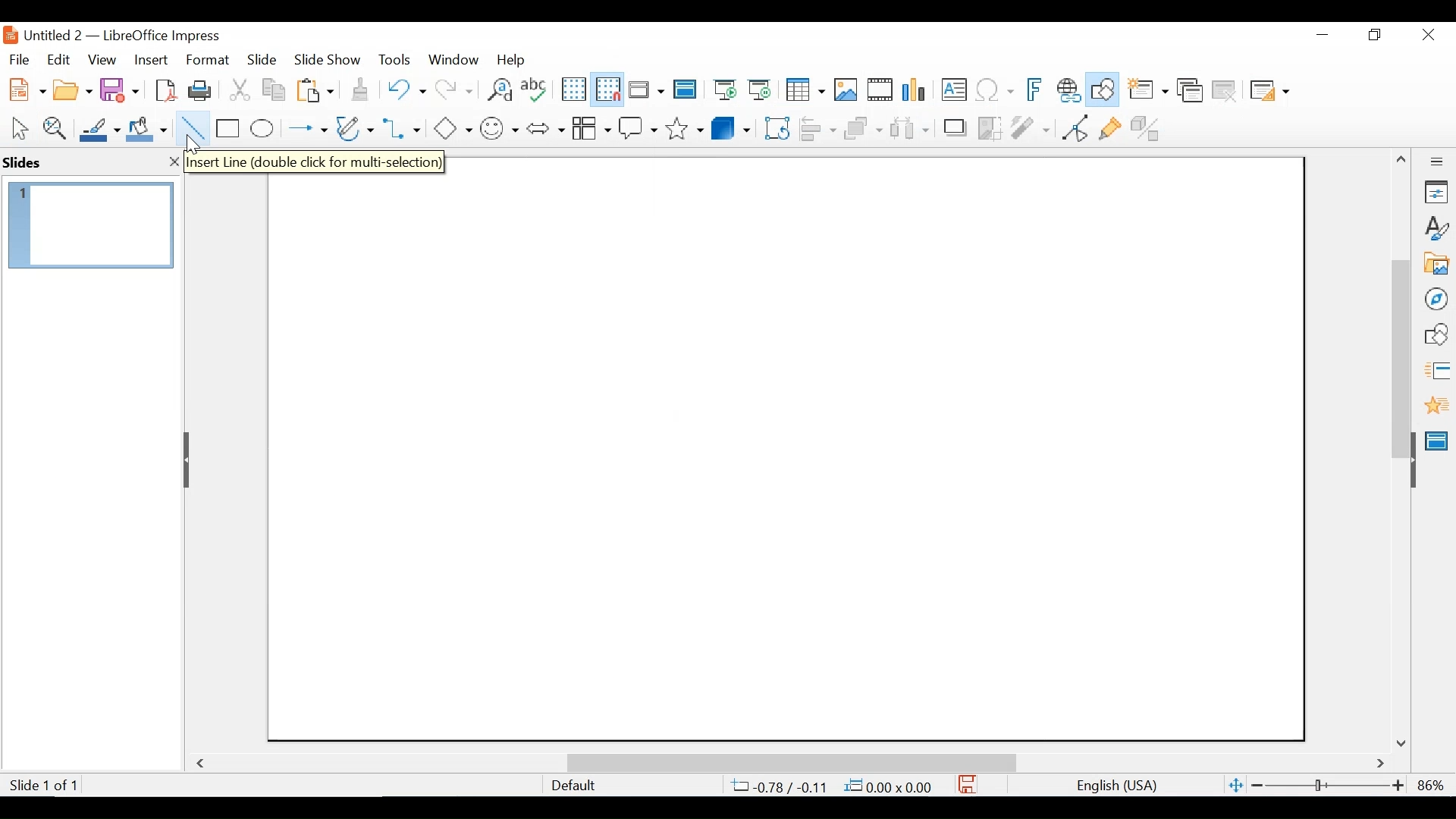 This screenshot has height=819, width=1456. Describe the element at coordinates (686, 91) in the screenshot. I see `Master Slides` at that location.